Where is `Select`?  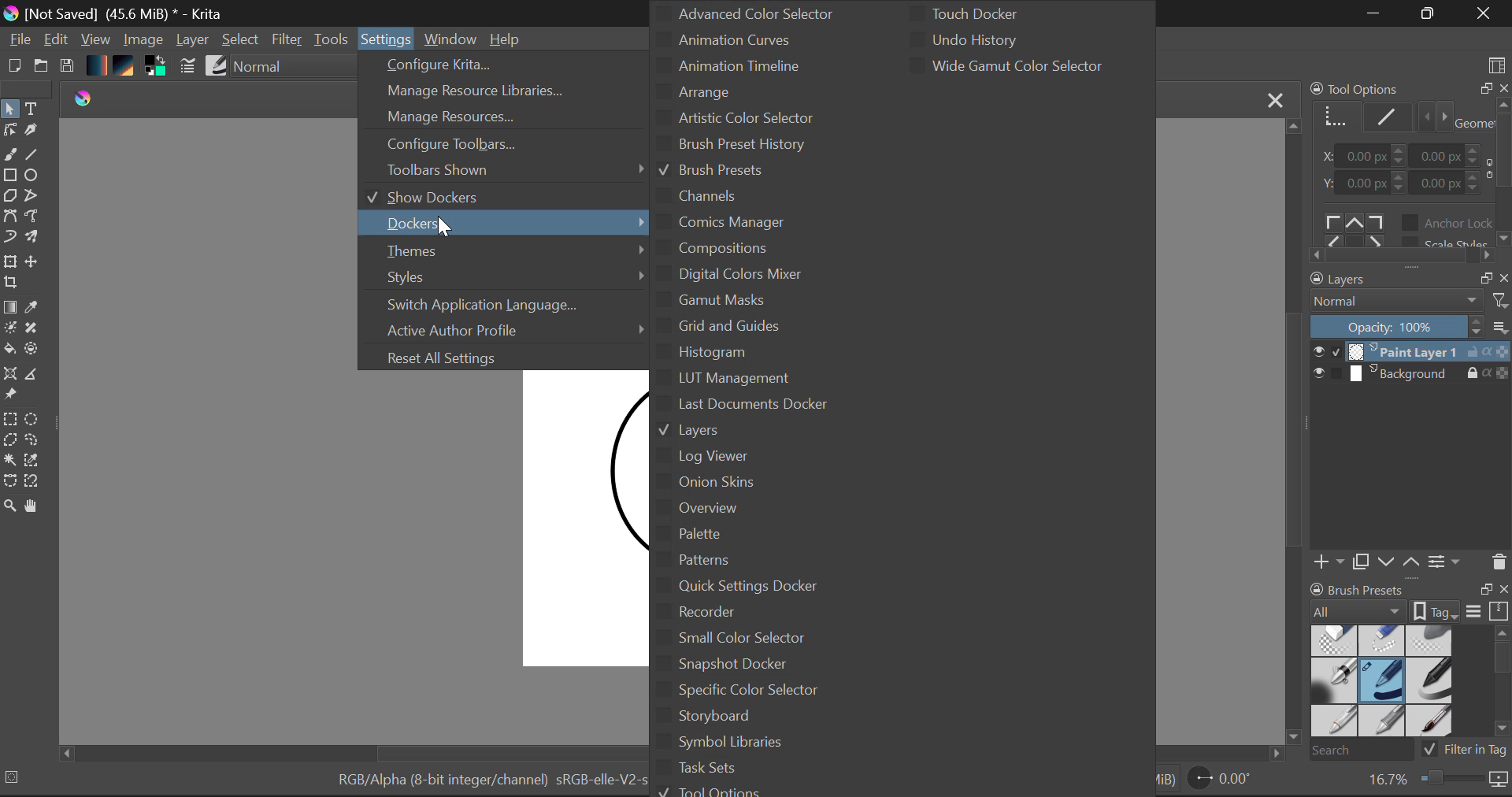
Select is located at coordinates (241, 40).